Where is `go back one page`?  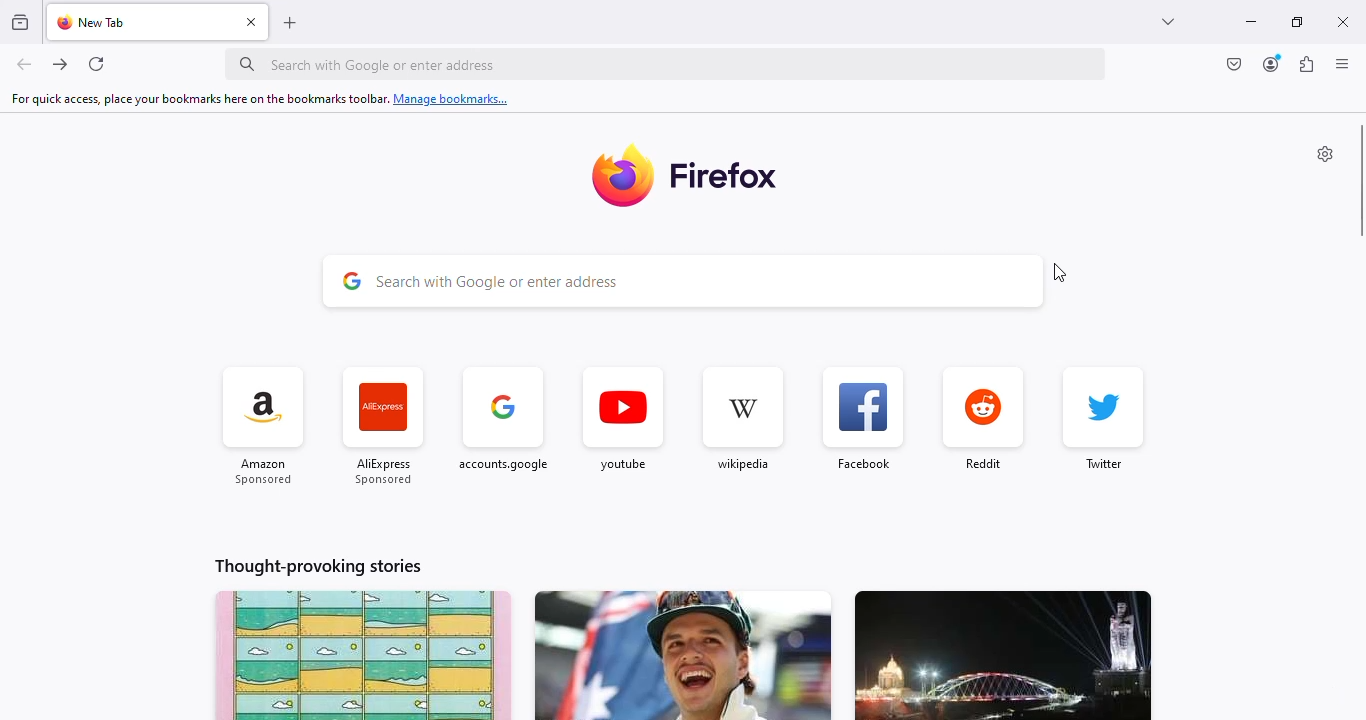 go back one page is located at coordinates (24, 64).